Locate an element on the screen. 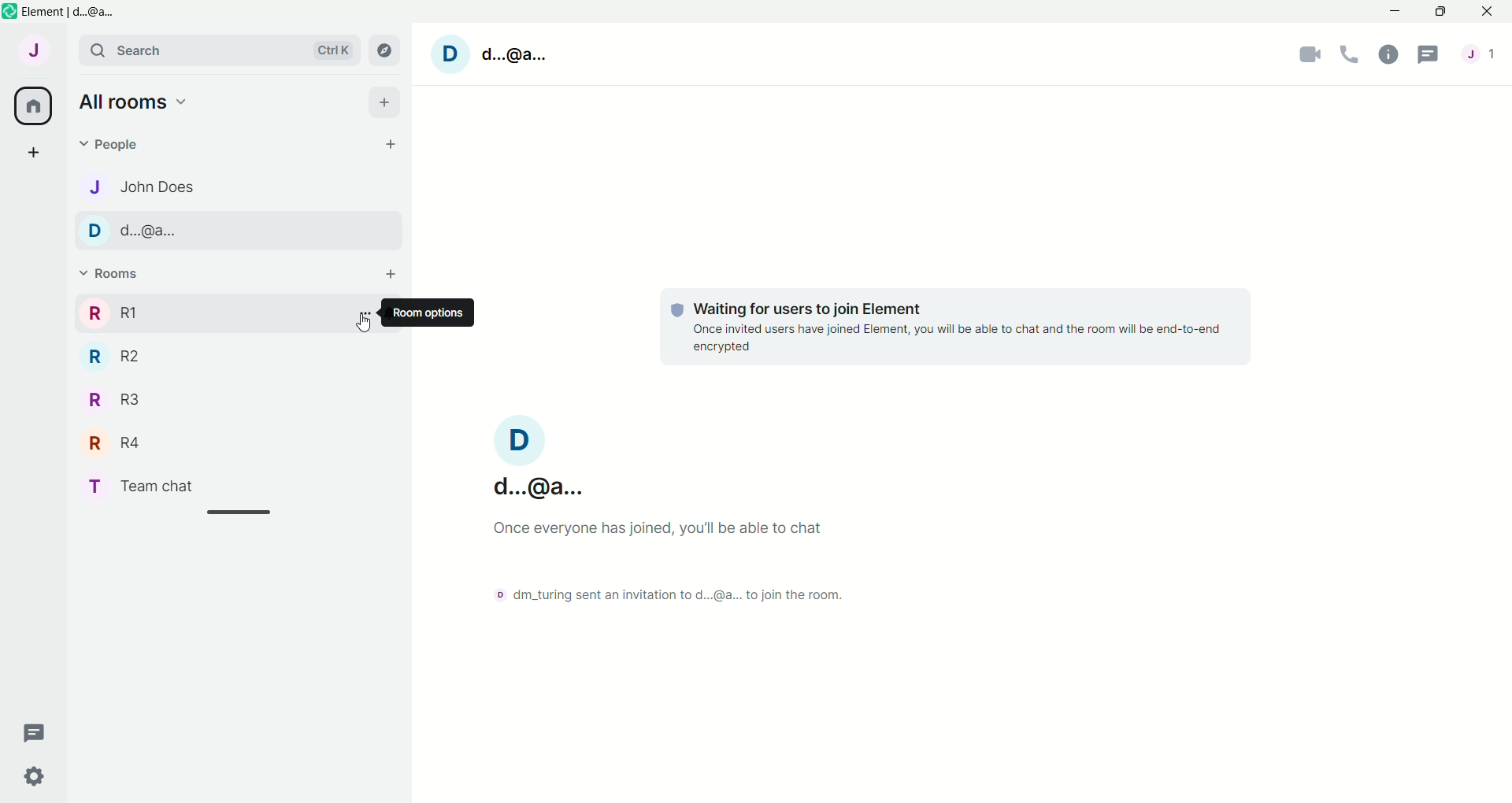  R RI is located at coordinates (132, 313).